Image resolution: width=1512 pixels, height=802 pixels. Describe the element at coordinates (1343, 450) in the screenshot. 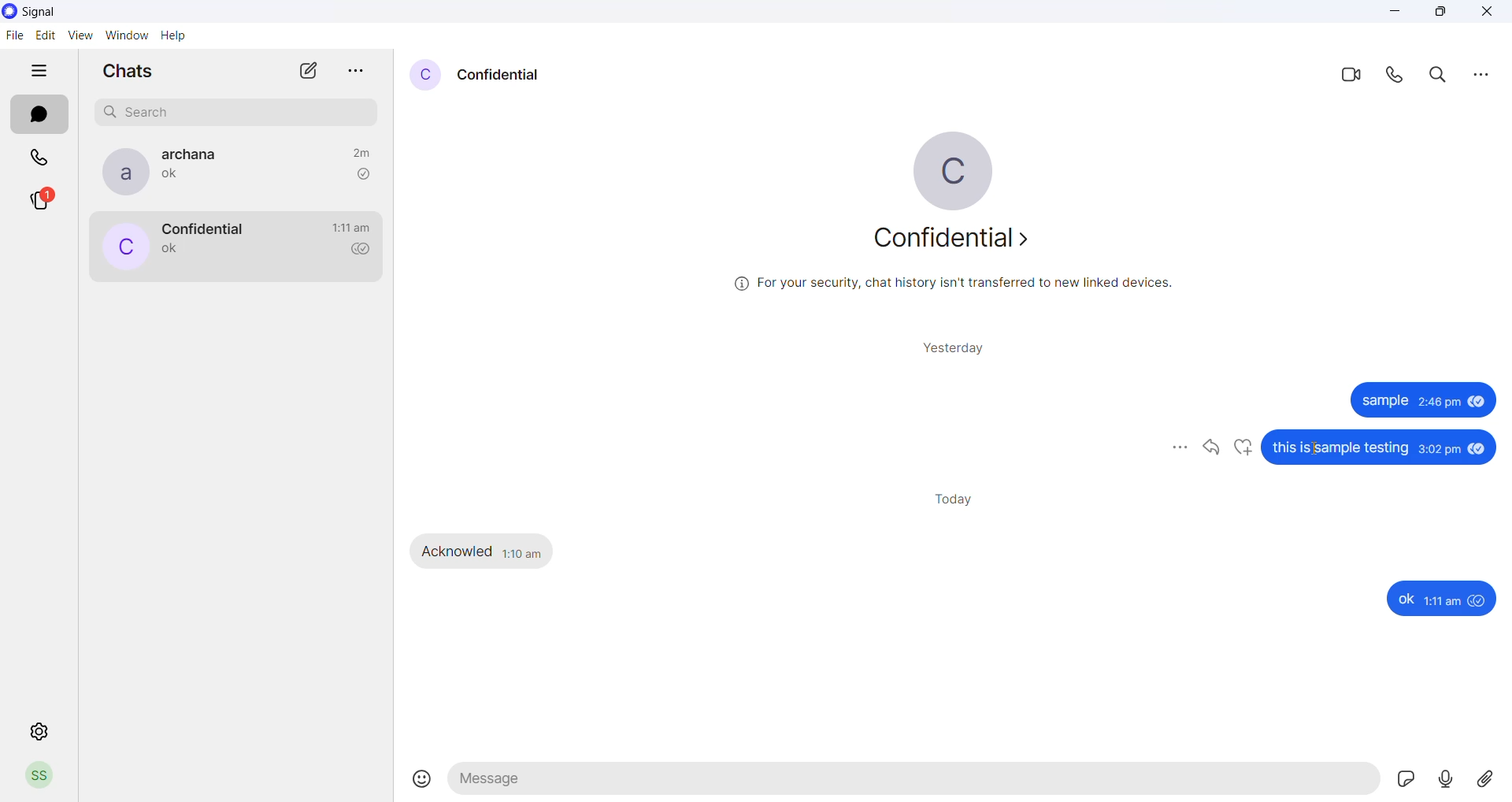

I see `this is sample testing` at that location.